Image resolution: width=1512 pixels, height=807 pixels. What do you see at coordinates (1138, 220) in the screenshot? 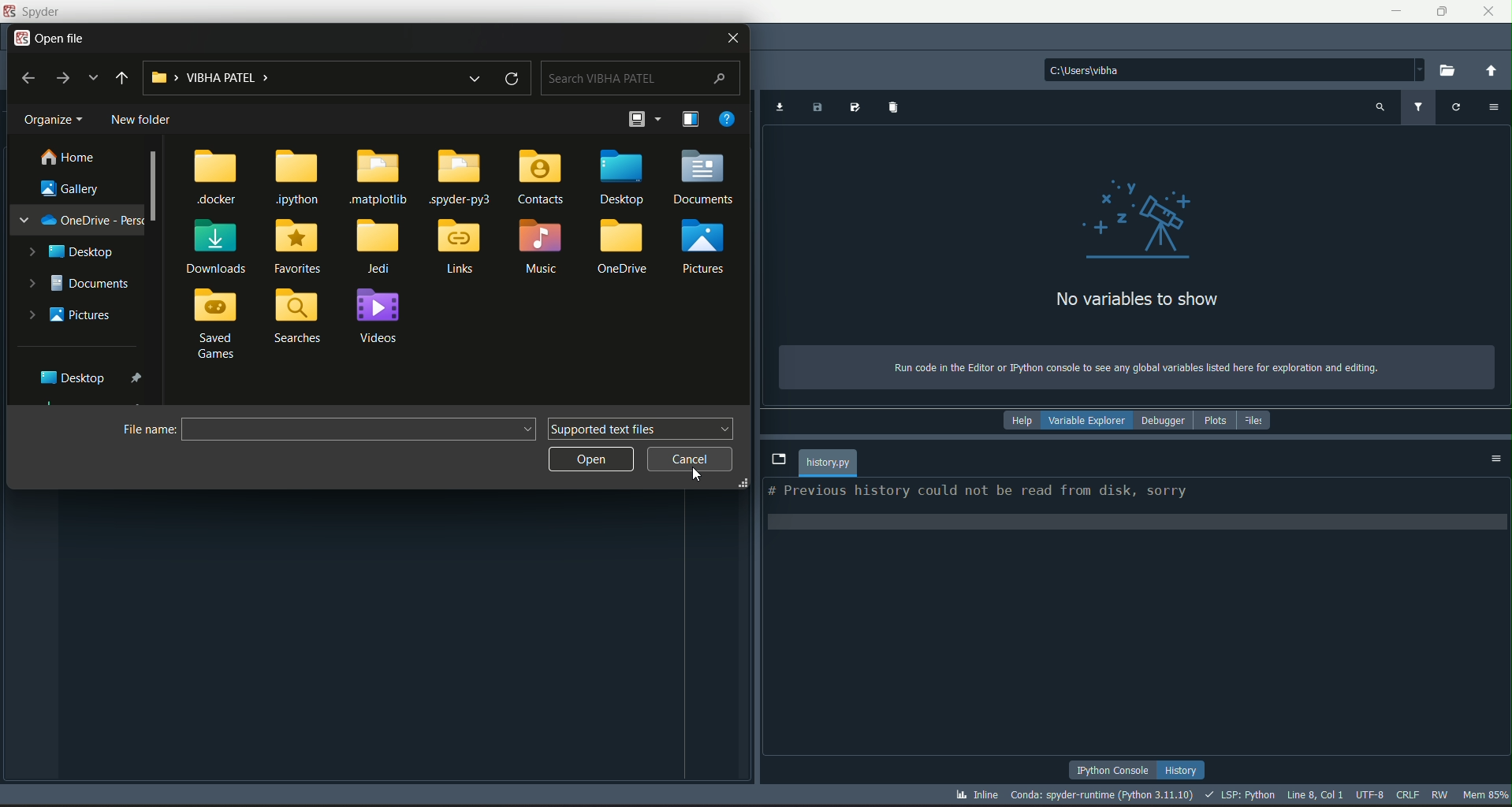
I see `graphics` at bounding box center [1138, 220].